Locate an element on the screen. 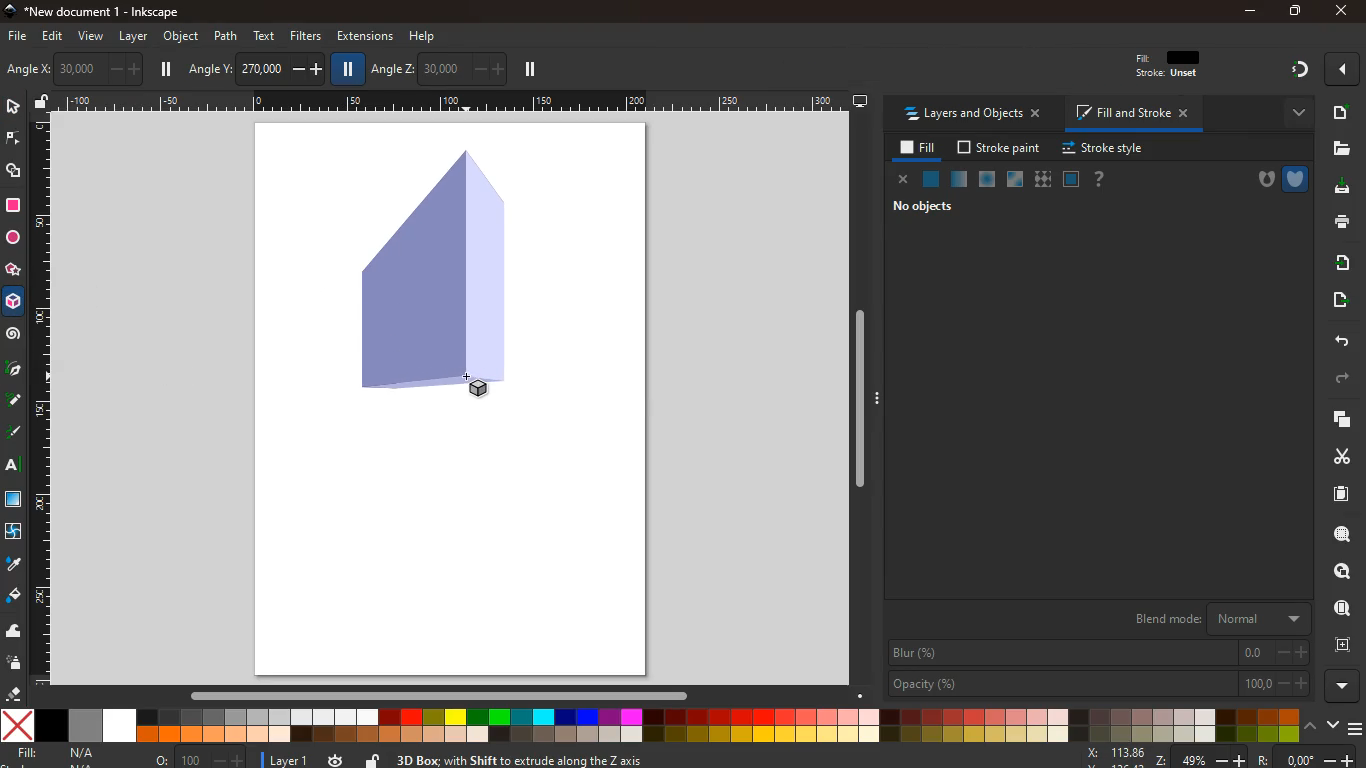  send is located at coordinates (1335, 300).